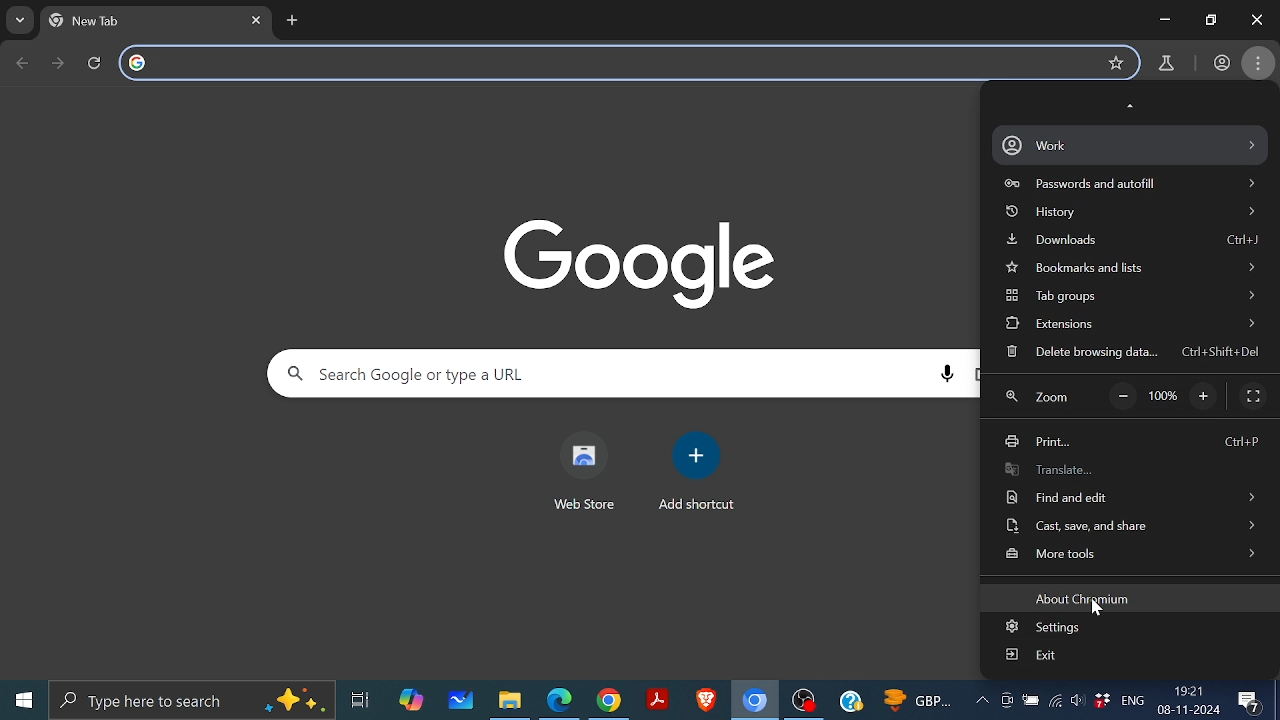 The height and width of the screenshot is (720, 1280). I want to click on Close current tab, so click(257, 21).